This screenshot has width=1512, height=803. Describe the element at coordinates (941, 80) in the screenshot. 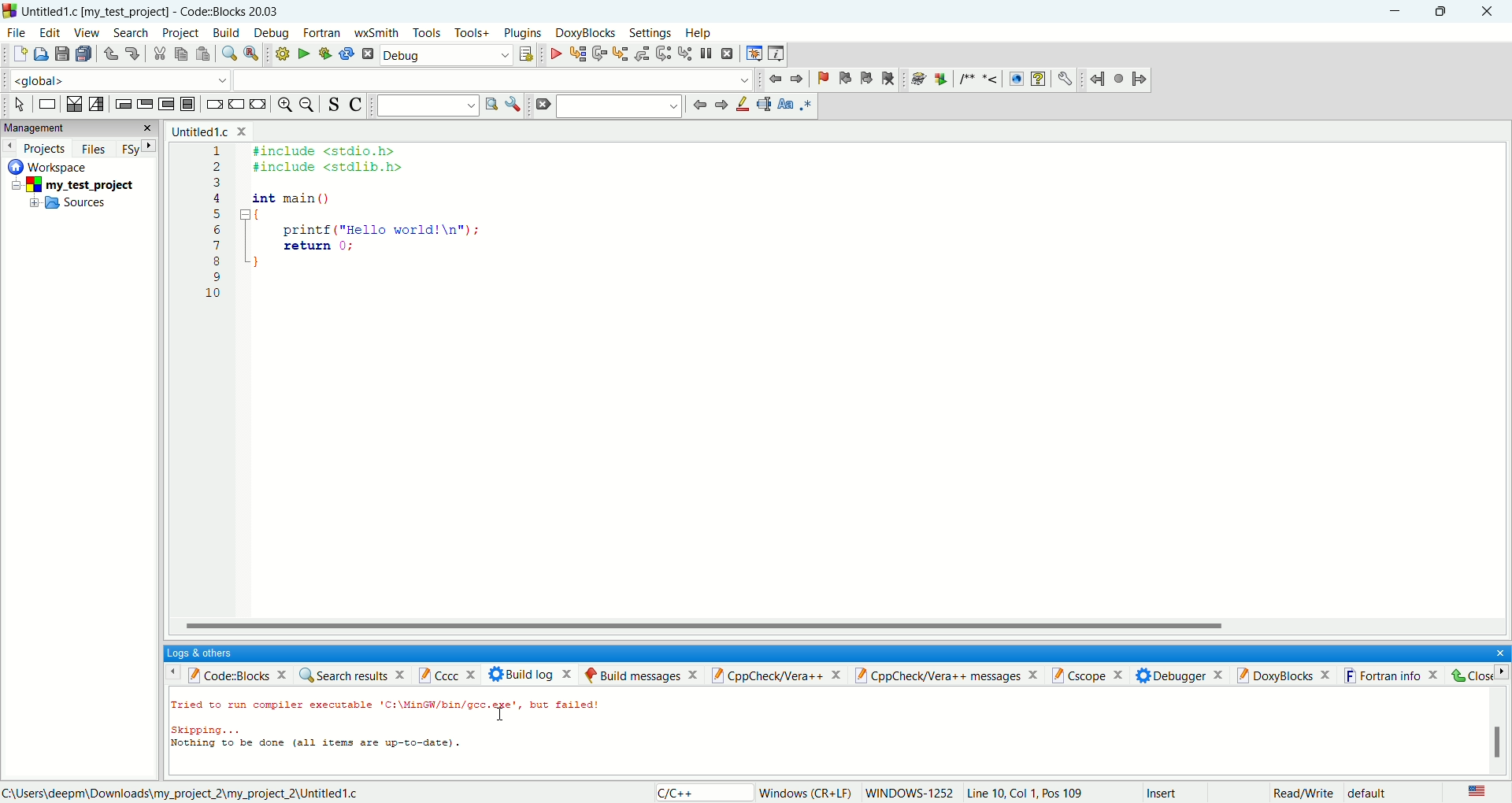

I see `extract documentation` at that location.